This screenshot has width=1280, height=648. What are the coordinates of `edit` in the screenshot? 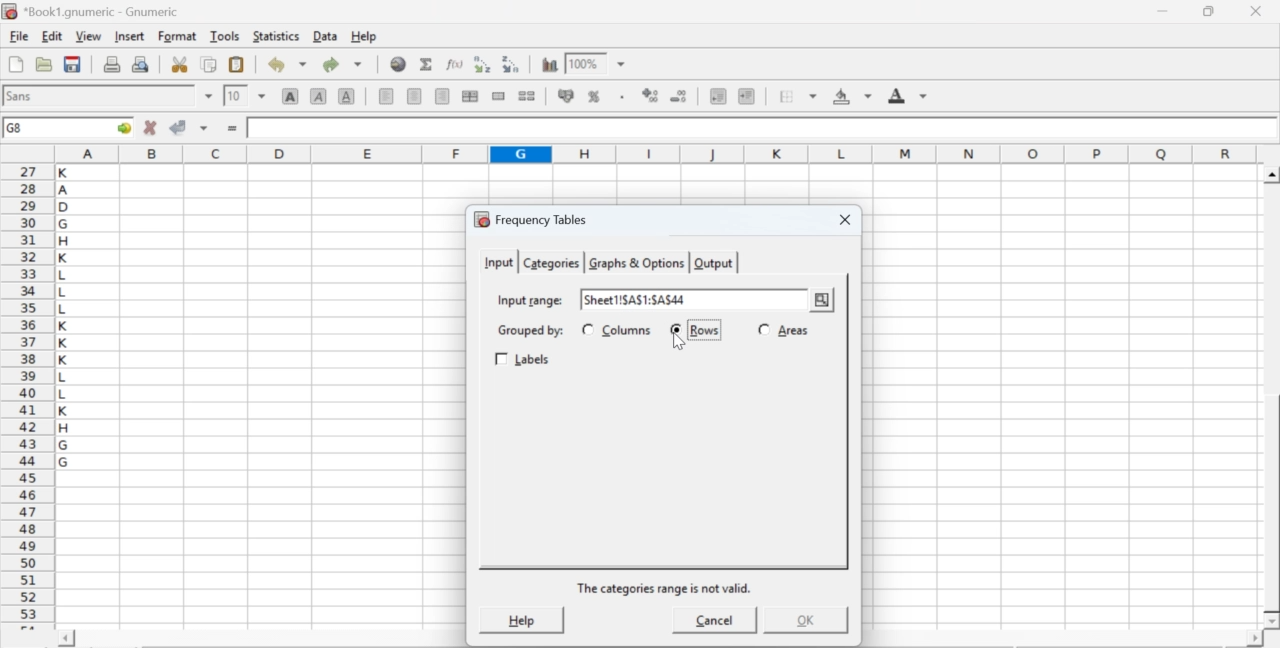 It's located at (52, 36).